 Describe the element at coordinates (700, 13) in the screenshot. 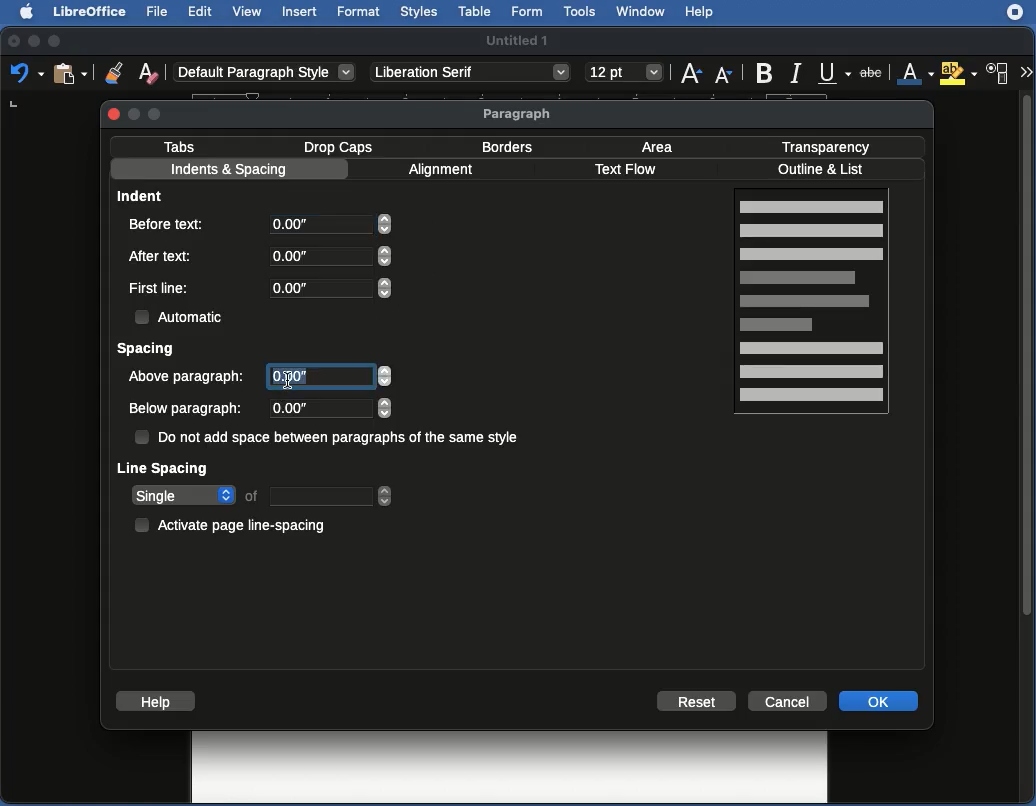

I see `Help` at that location.